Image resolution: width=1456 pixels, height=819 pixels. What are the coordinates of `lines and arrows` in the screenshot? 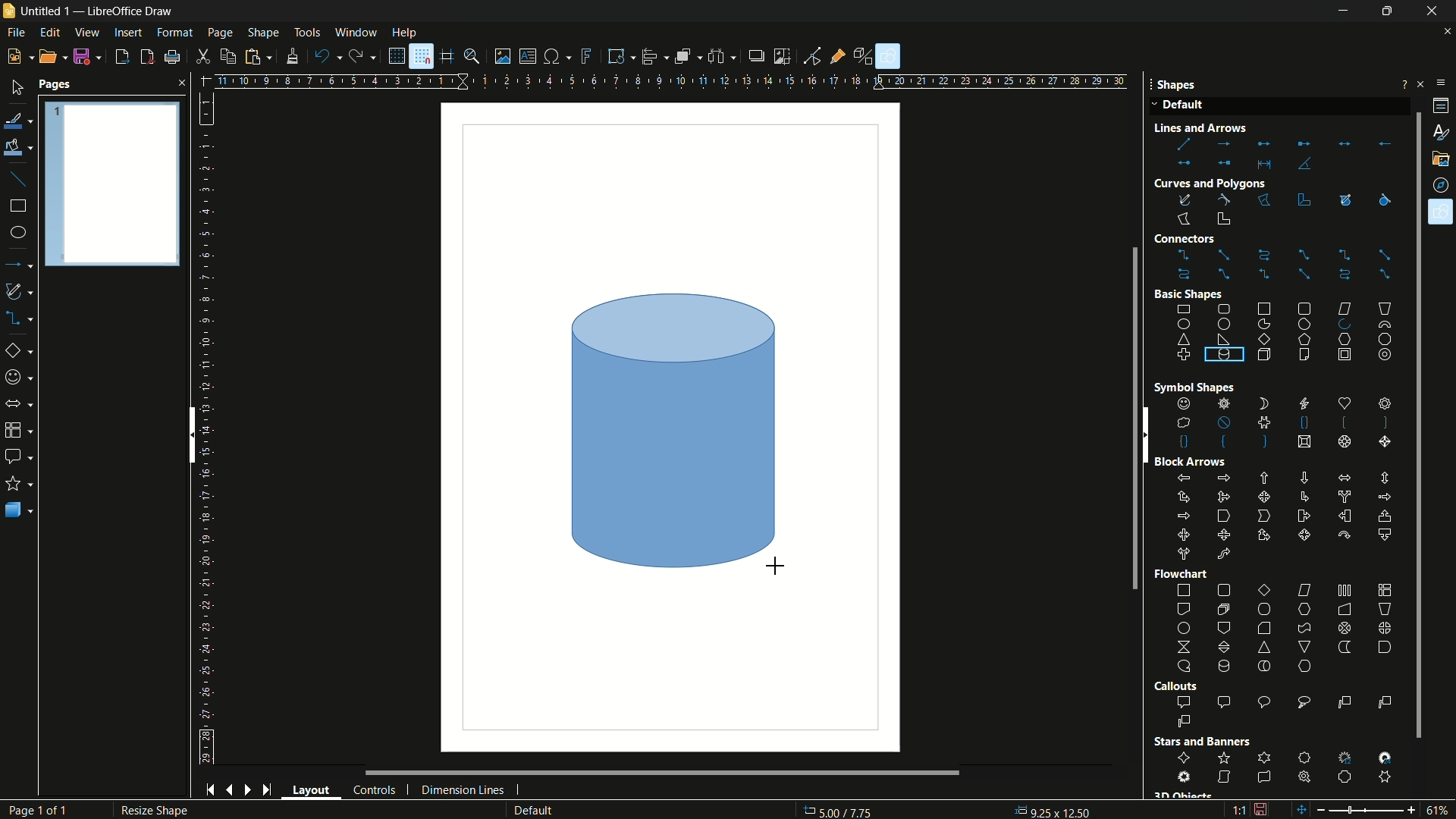 It's located at (20, 264).